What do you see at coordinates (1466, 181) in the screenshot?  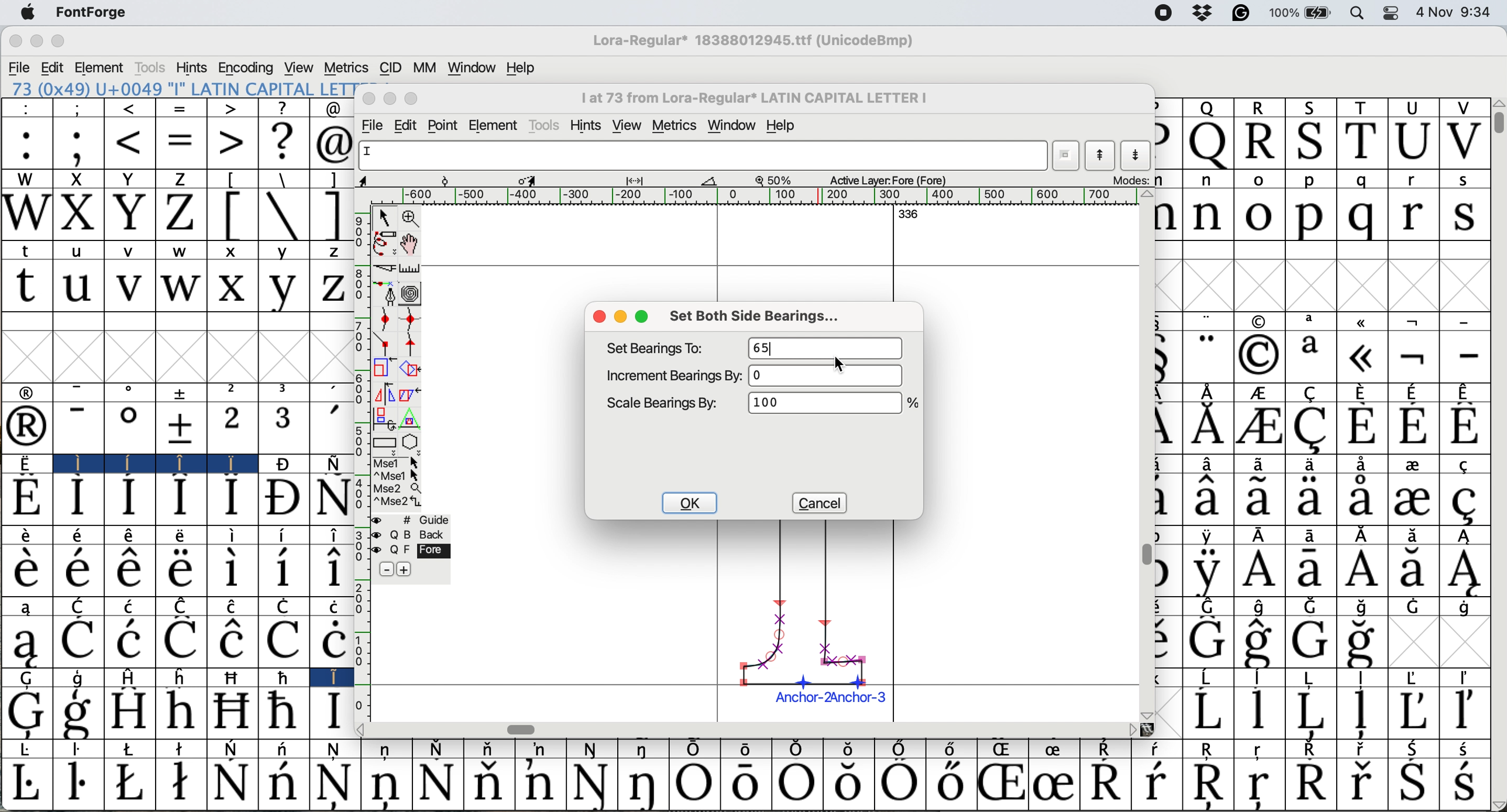 I see `s` at bounding box center [1466, 181].